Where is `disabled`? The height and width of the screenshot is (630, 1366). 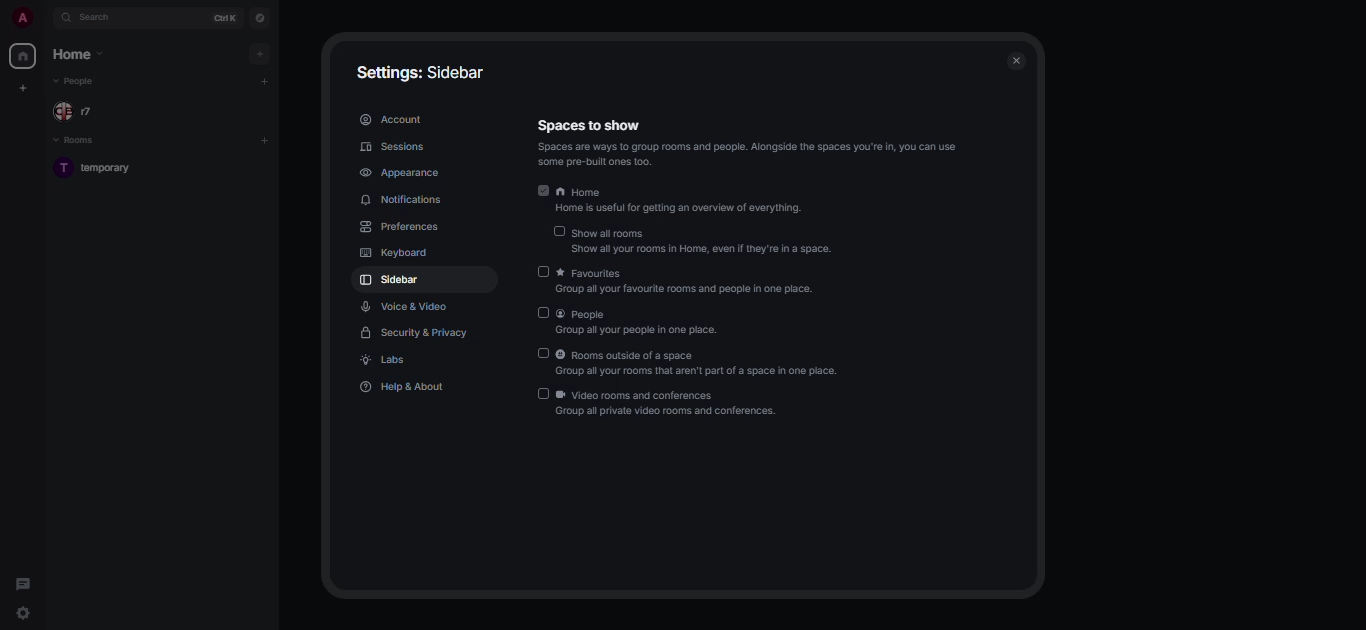 disabled is located at coordinates (558, 232).